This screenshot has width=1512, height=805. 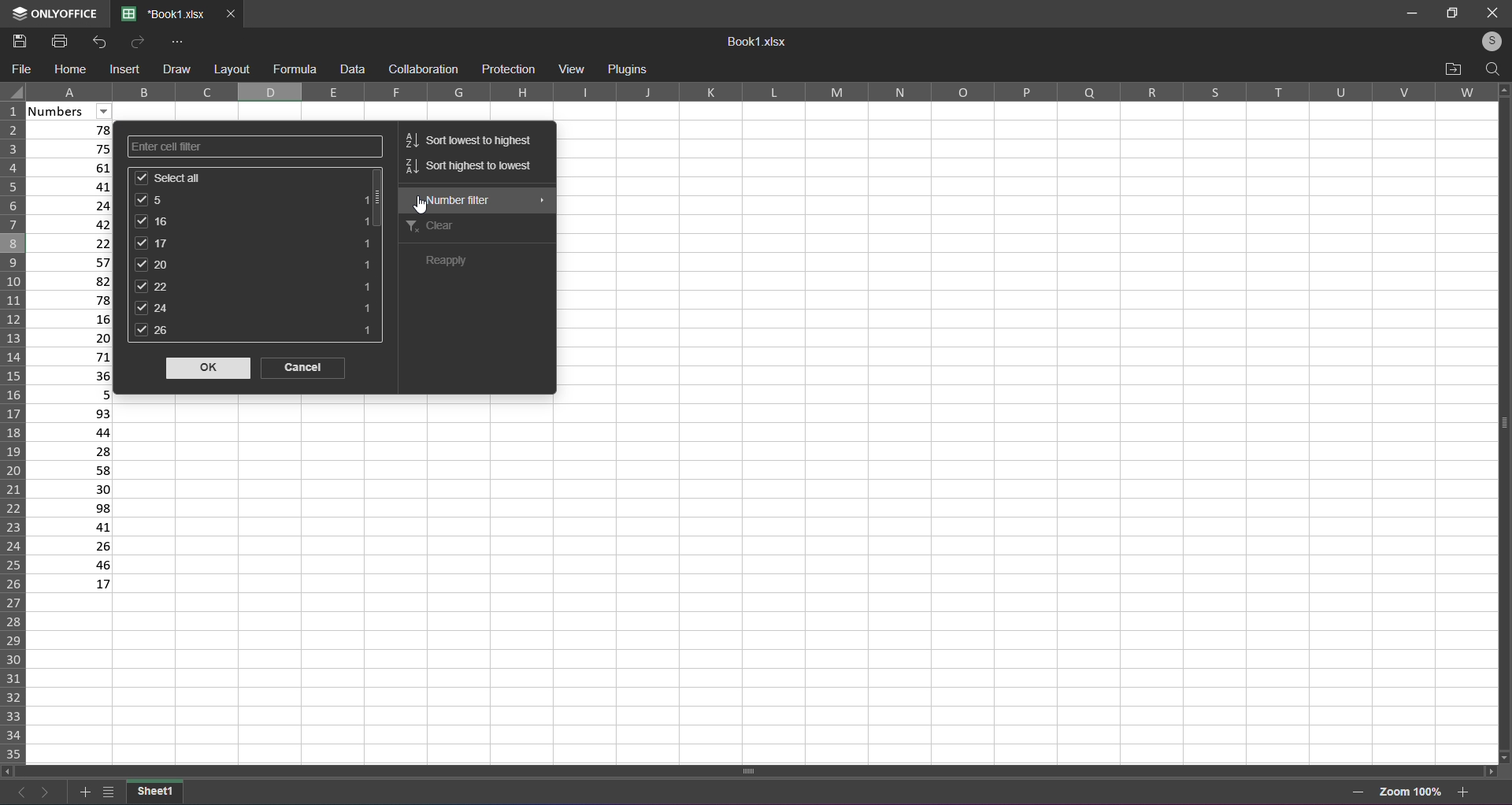 I want to click on Zoom in, so click(x=1465, y=791).